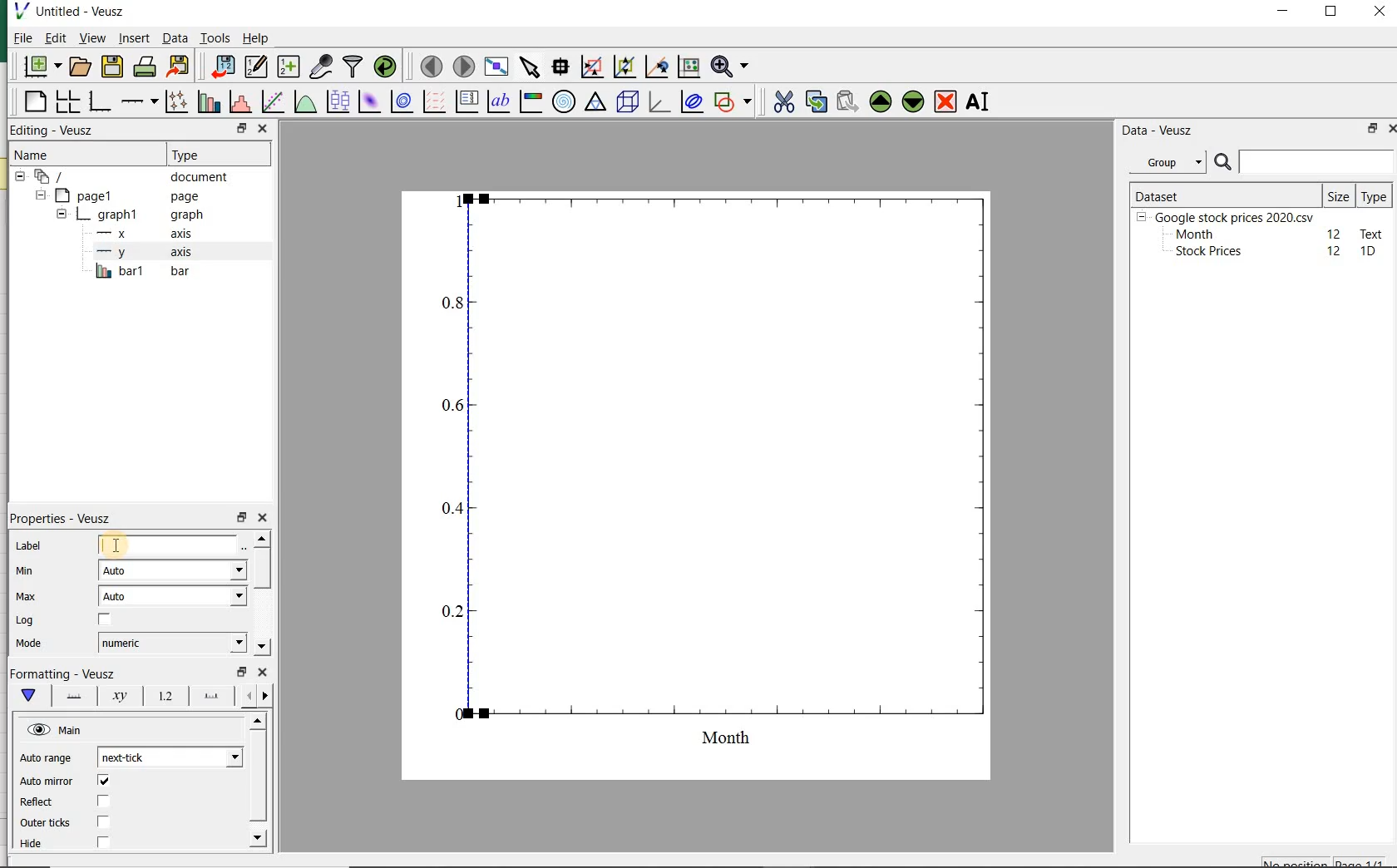  Describe the element at coordinates (464, 67) in the screenshot. I see `move to the next page` at that location.